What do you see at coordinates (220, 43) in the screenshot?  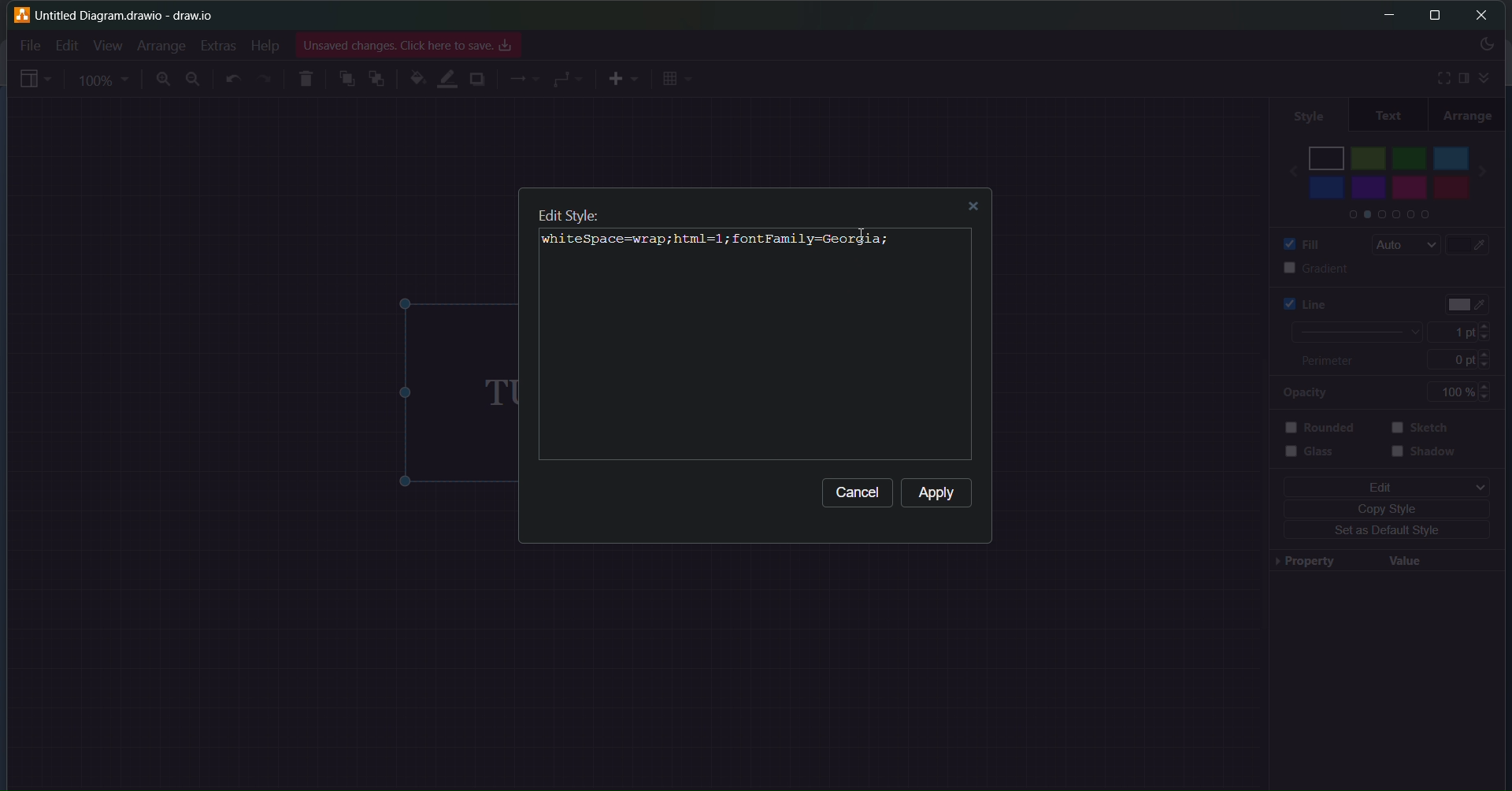 I see `Extras` at bounding box center [220, 43].